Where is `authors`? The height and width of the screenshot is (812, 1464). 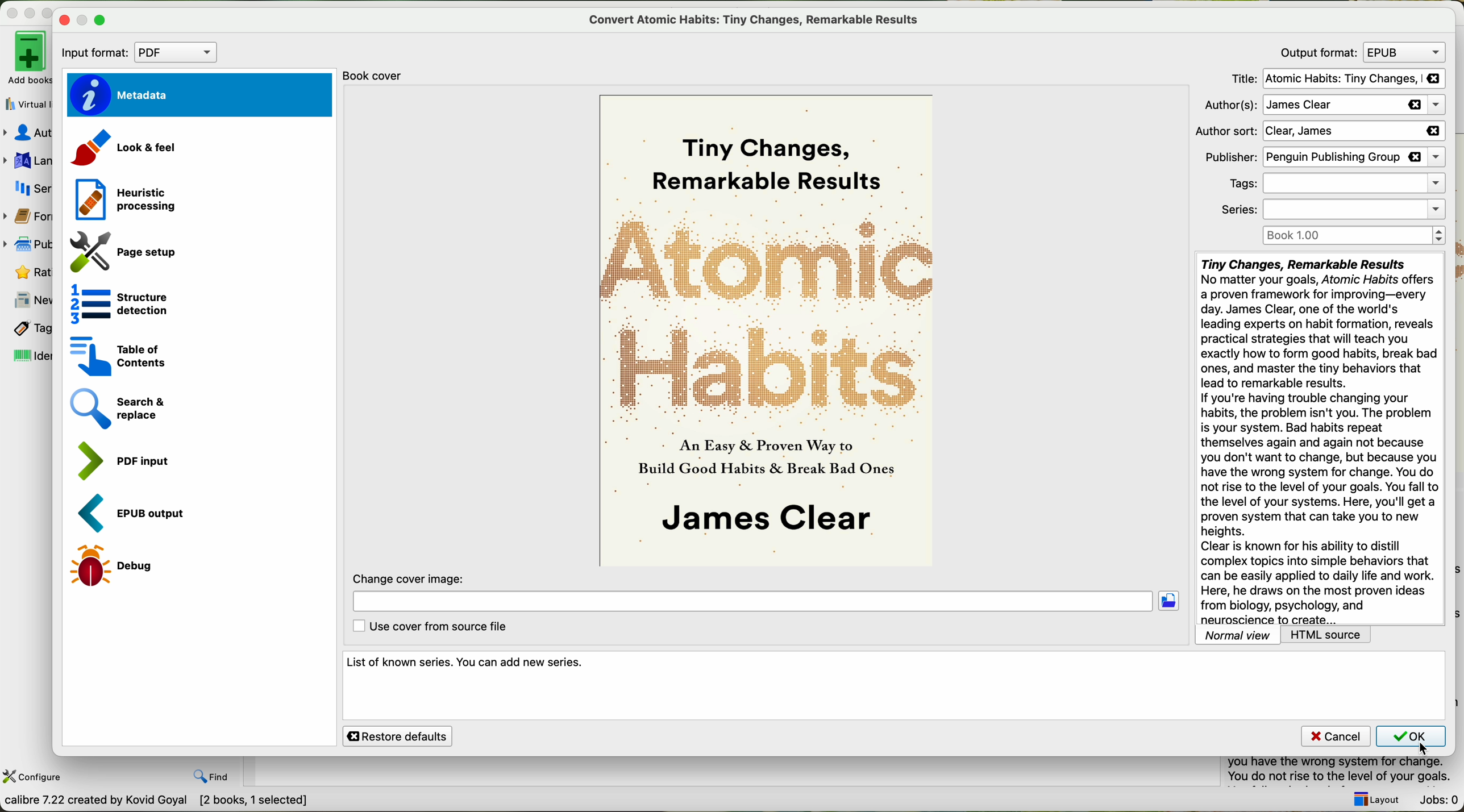
authors is located at coordinates (27, 134).